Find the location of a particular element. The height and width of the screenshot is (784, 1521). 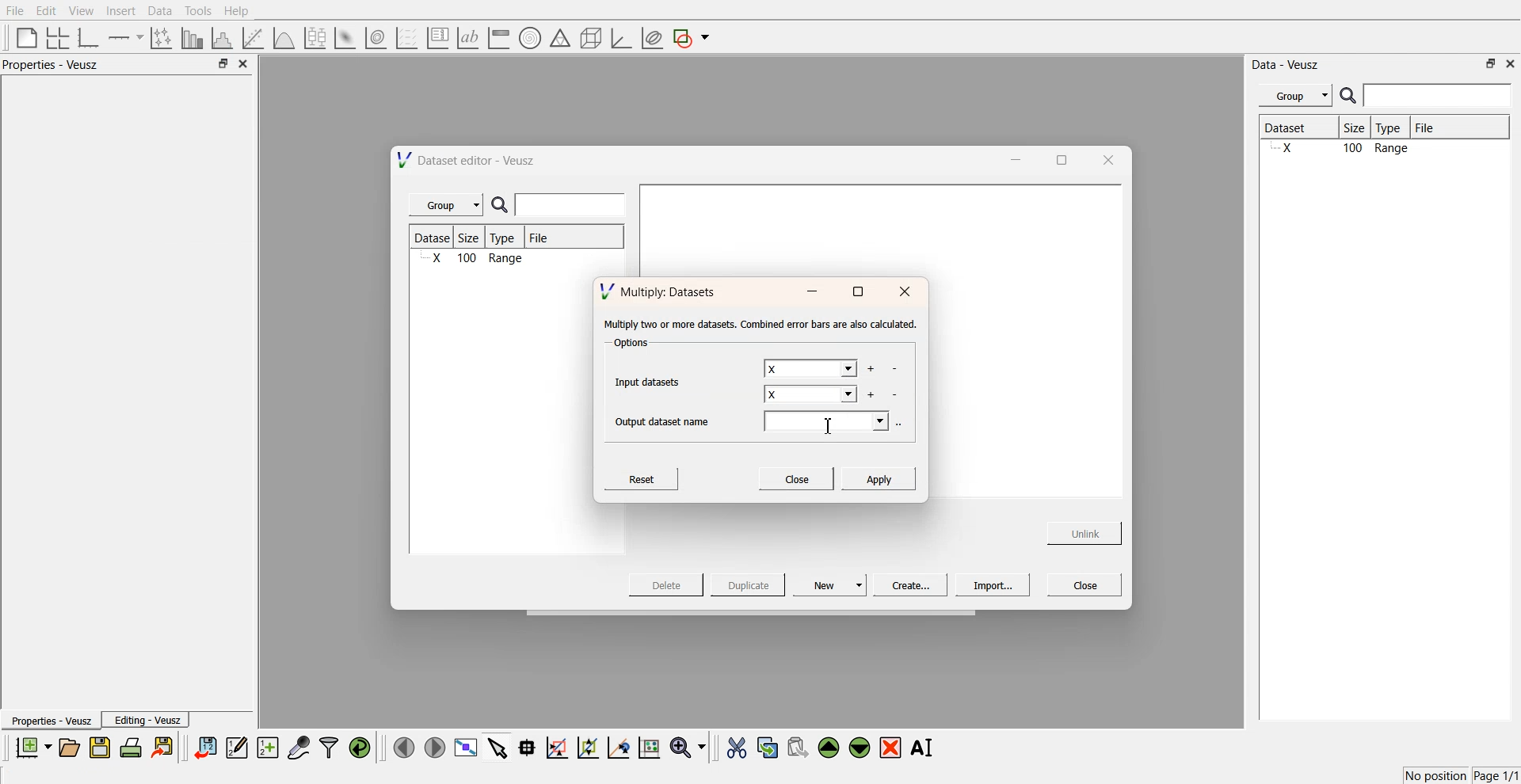

File is located at coordinates (540, 240).